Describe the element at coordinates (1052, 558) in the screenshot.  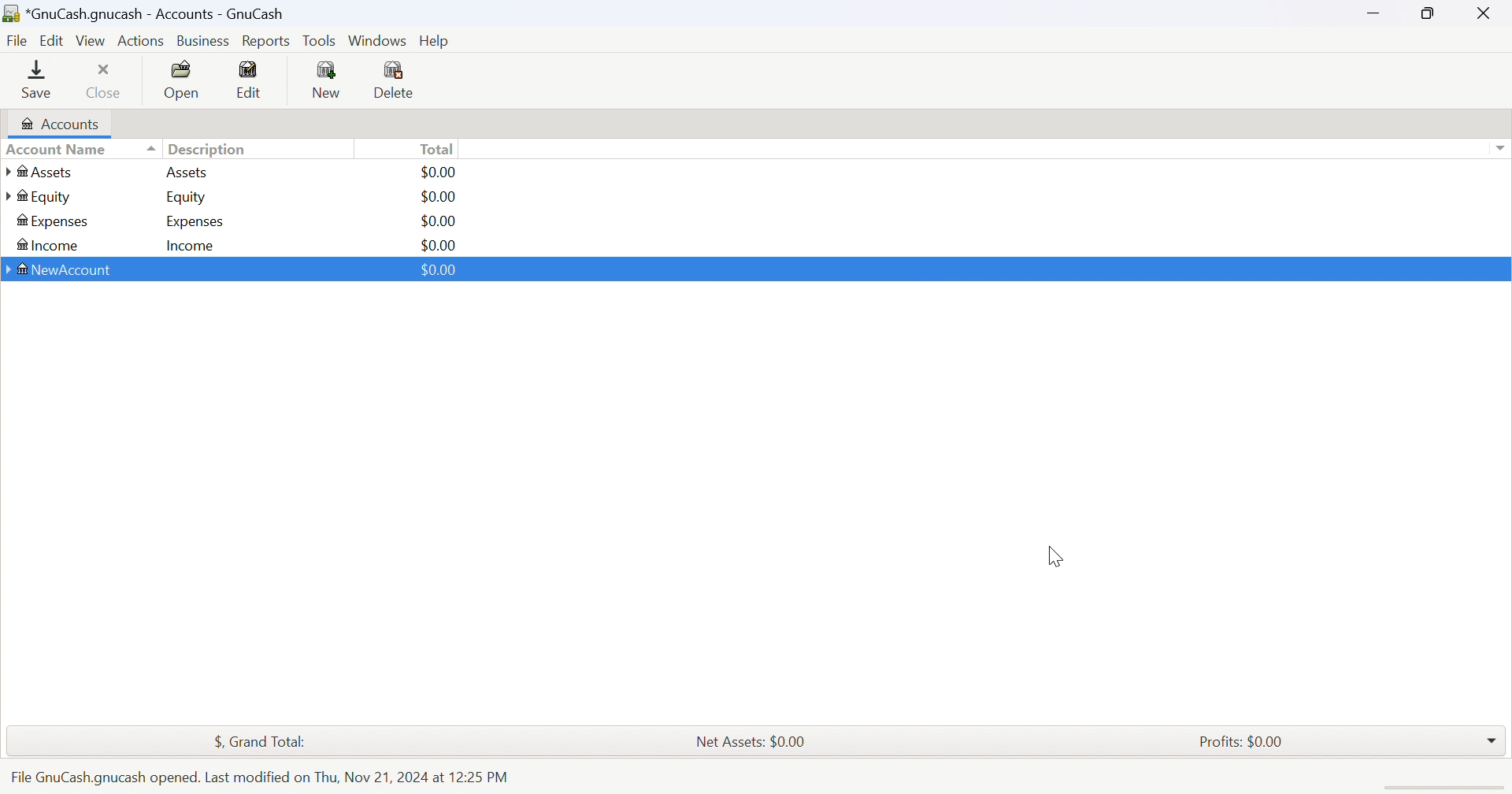
I see `Cursor` at that location.